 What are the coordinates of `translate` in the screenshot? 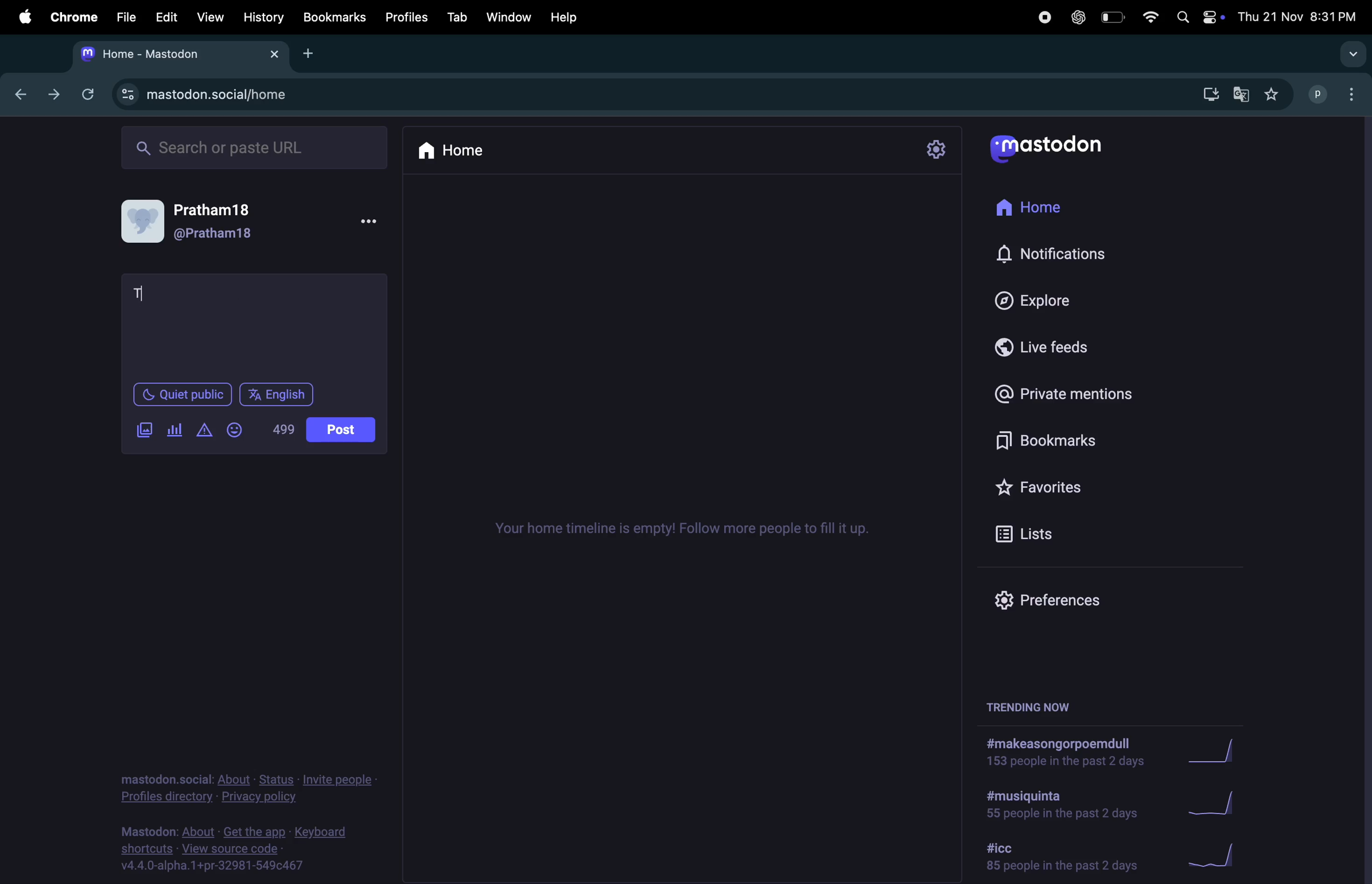 It's located at (1241, 95).